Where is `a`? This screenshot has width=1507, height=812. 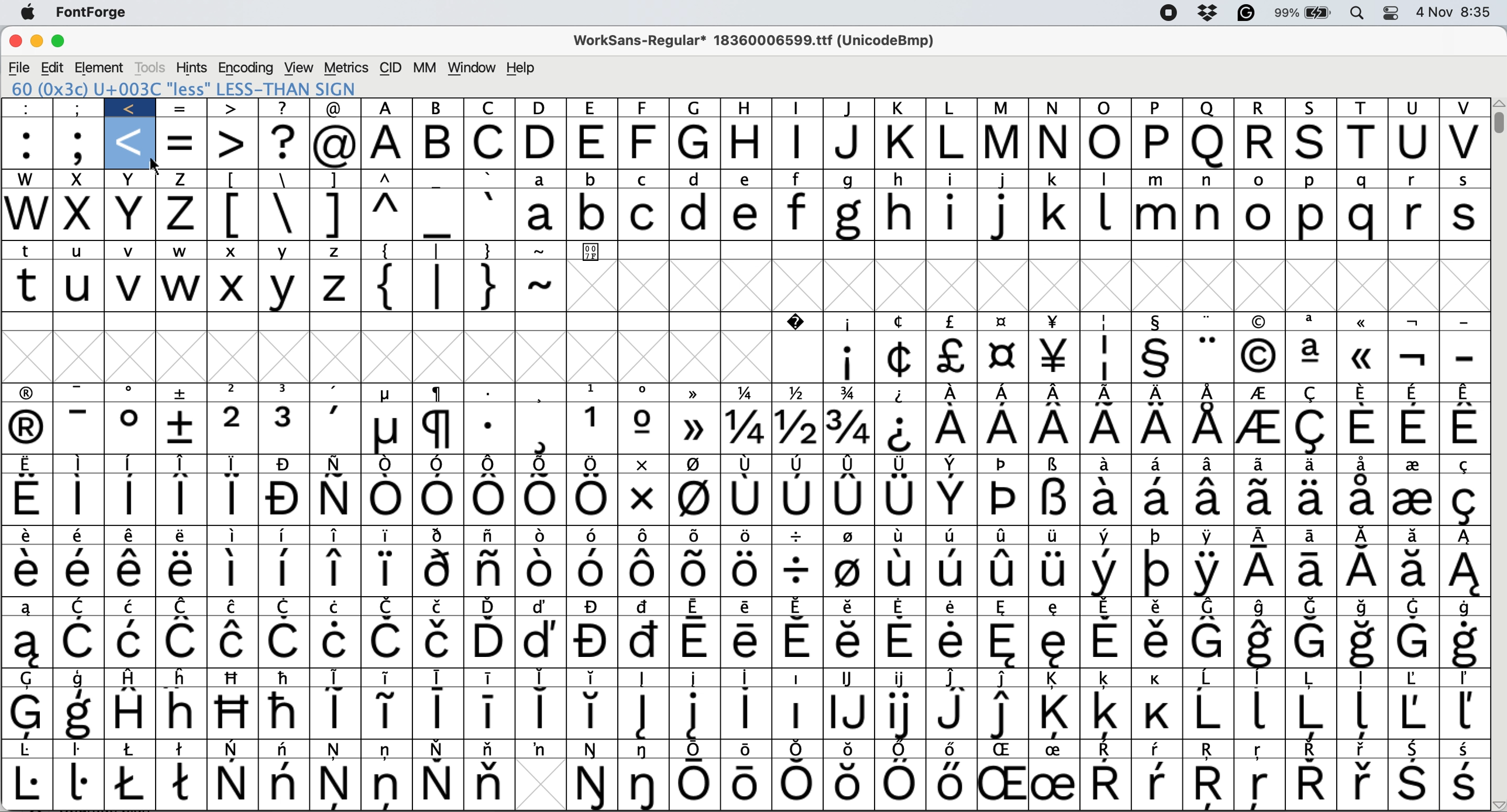 a is located at coordinates (387, 108).